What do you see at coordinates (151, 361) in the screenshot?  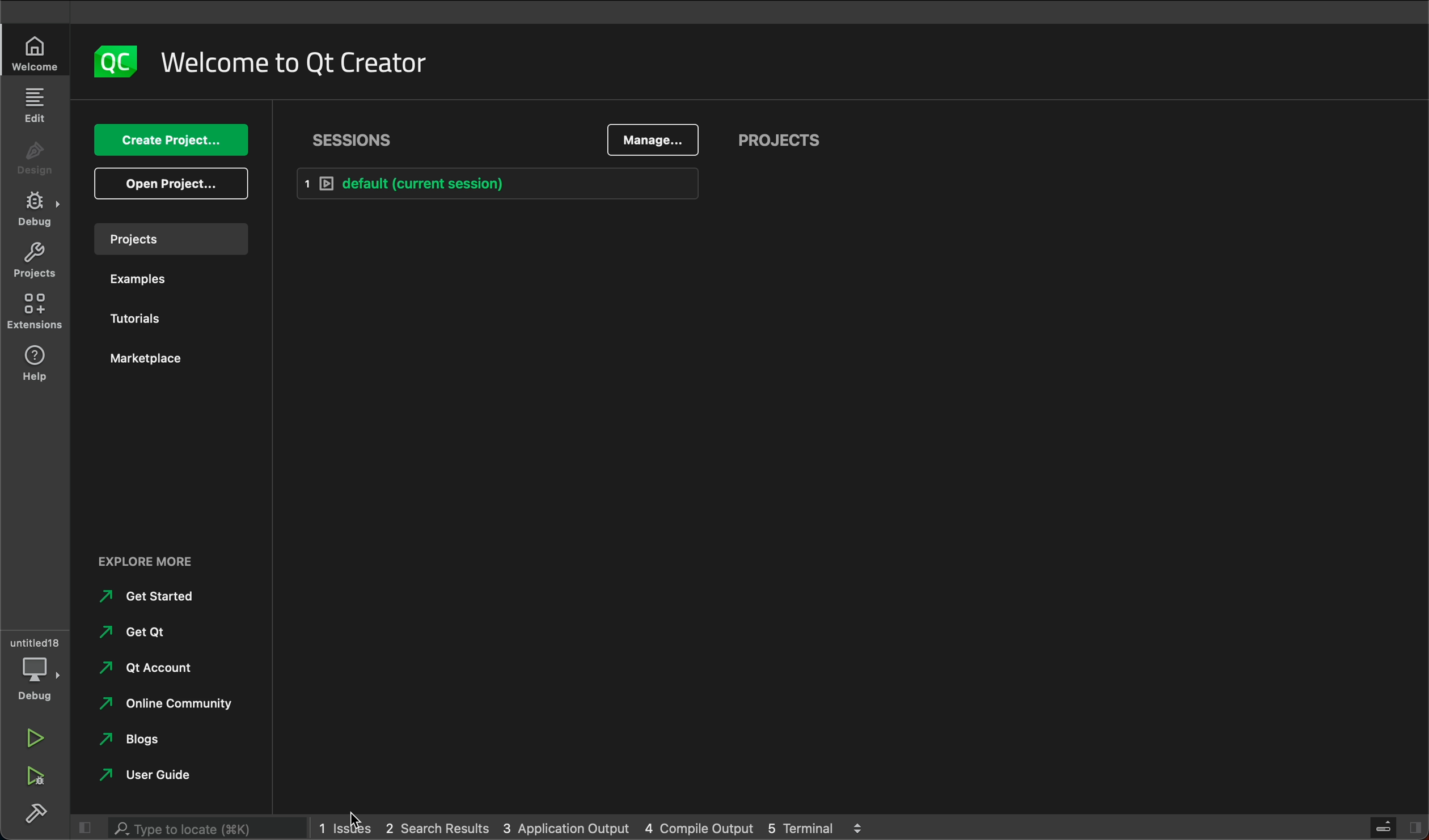 I see `marketplace` at bounding box center [151, 361].